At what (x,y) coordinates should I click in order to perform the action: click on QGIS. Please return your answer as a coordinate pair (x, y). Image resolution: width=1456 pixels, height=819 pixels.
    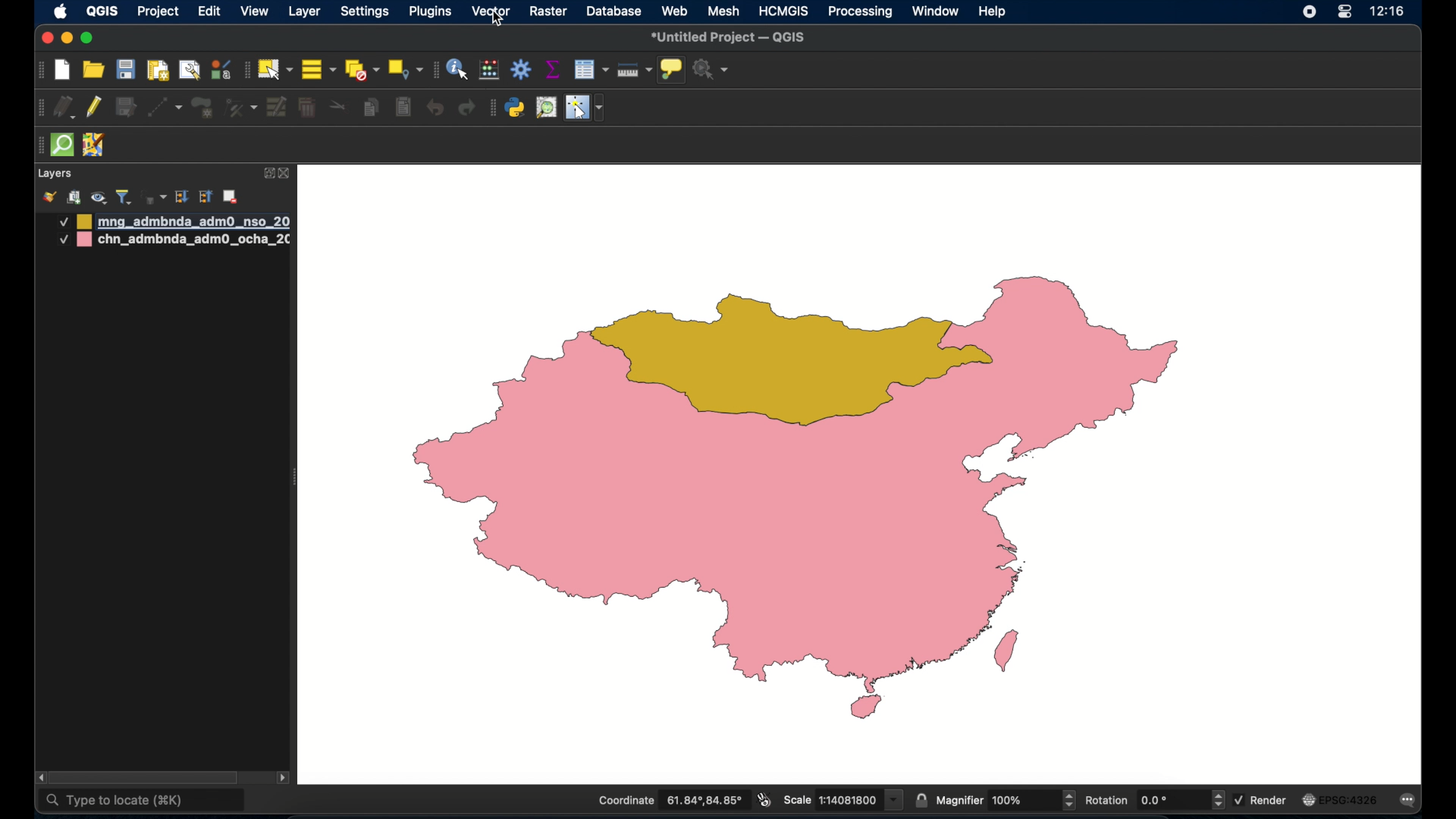
    Looking at the image, I should click on (101, 11).